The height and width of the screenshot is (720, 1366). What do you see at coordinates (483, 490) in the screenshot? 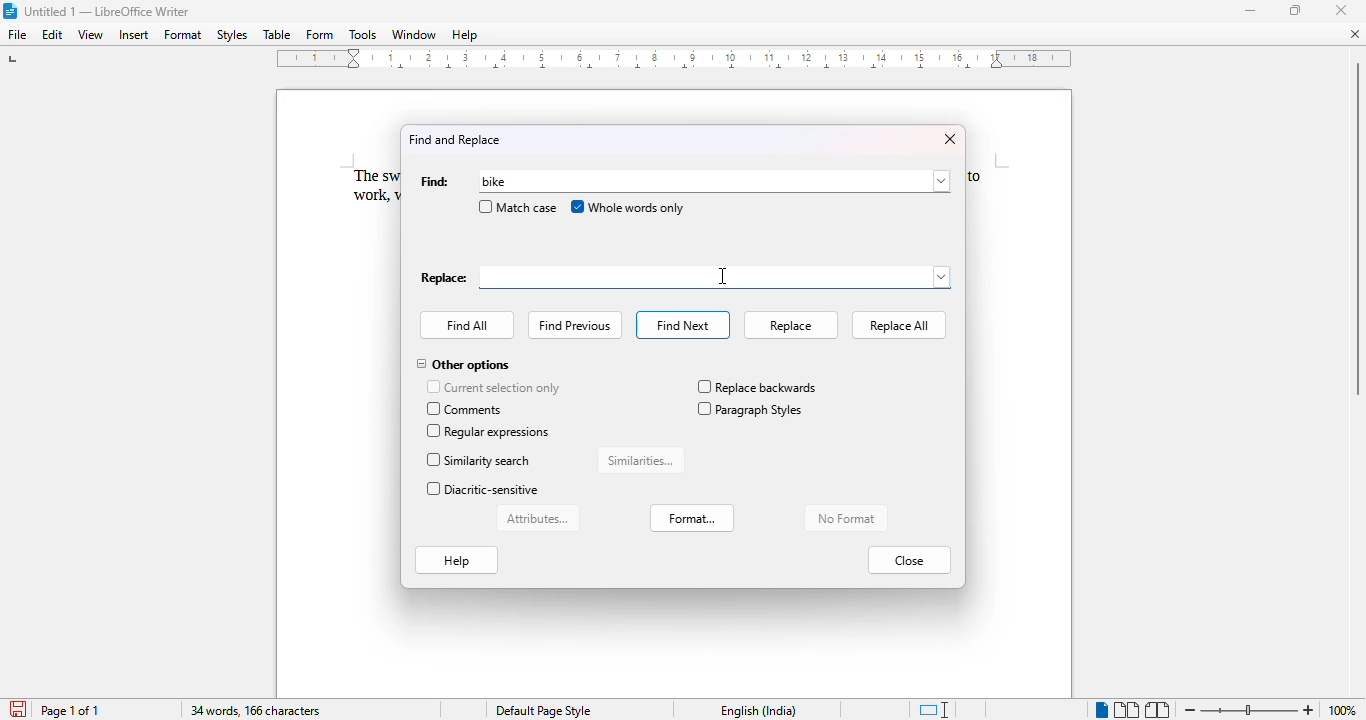
I see `diacritic-sensitive` at bounding box center [483, 490].